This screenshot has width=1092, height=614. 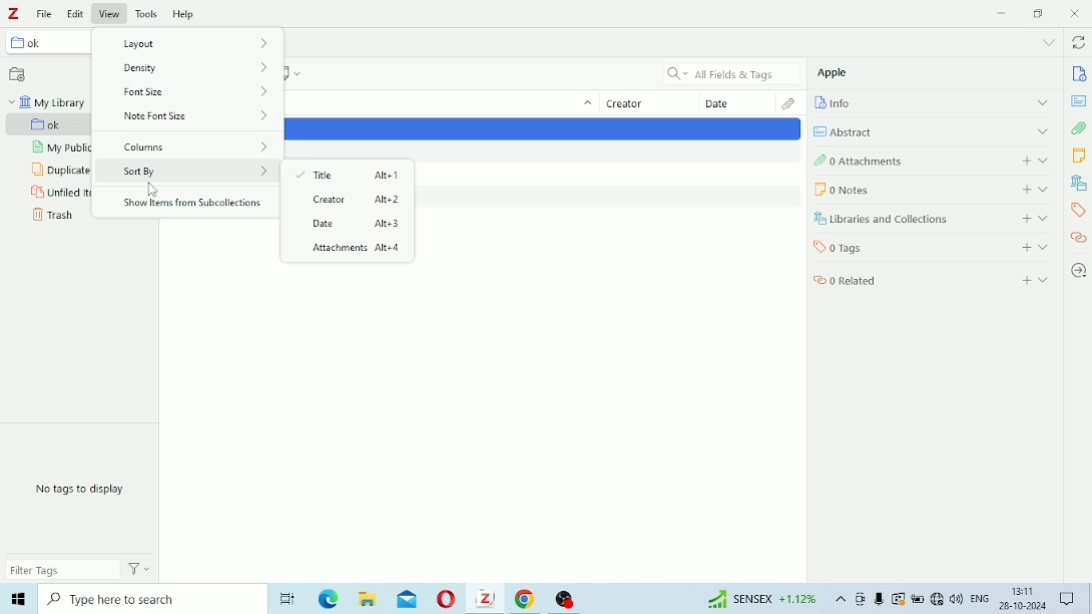 I want to click on Abstract, so click(x=1080, y=100).